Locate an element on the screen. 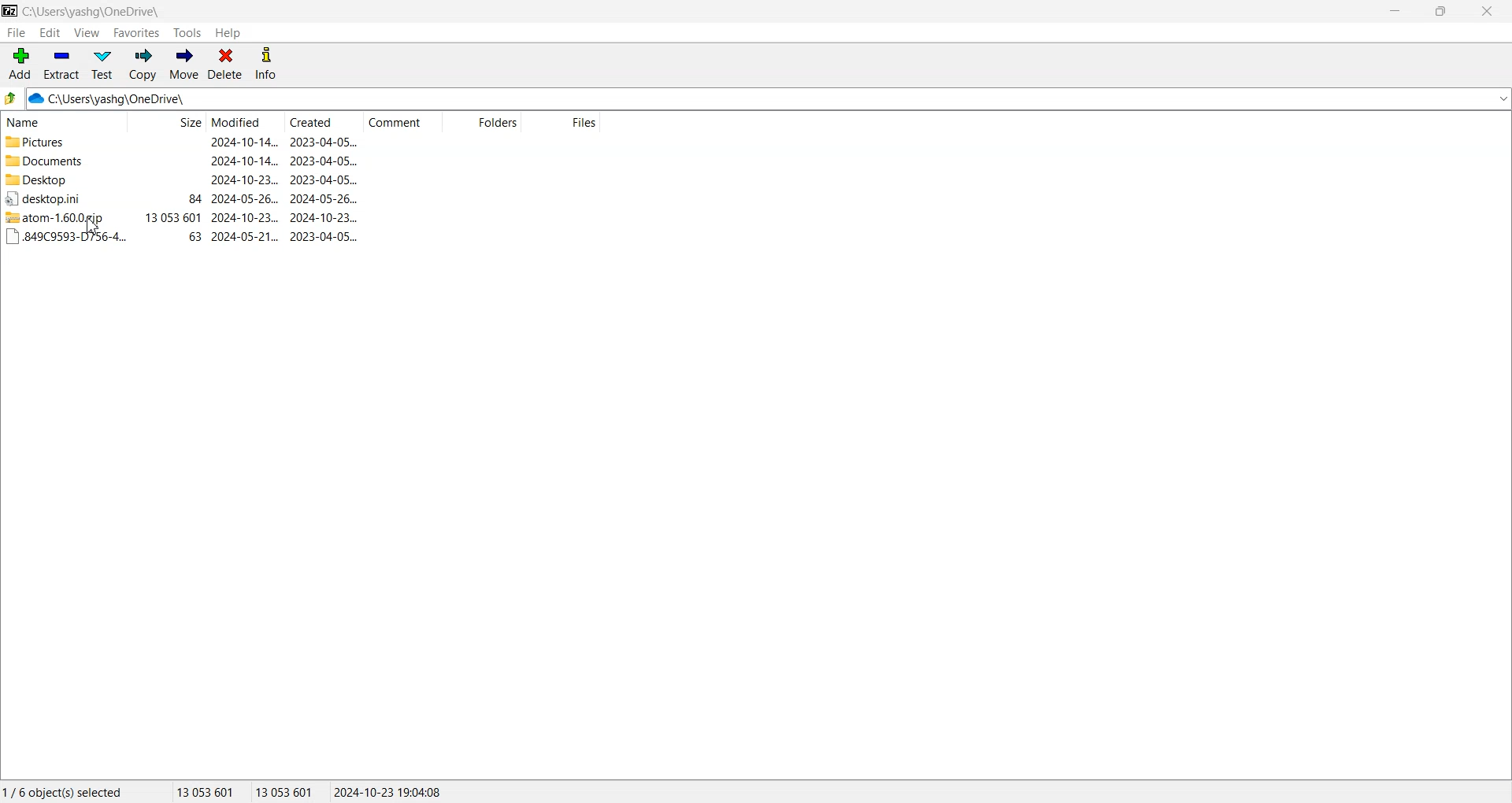 This screenshot has width=1512, height=803. Tools is located at coordinates (188, 33).